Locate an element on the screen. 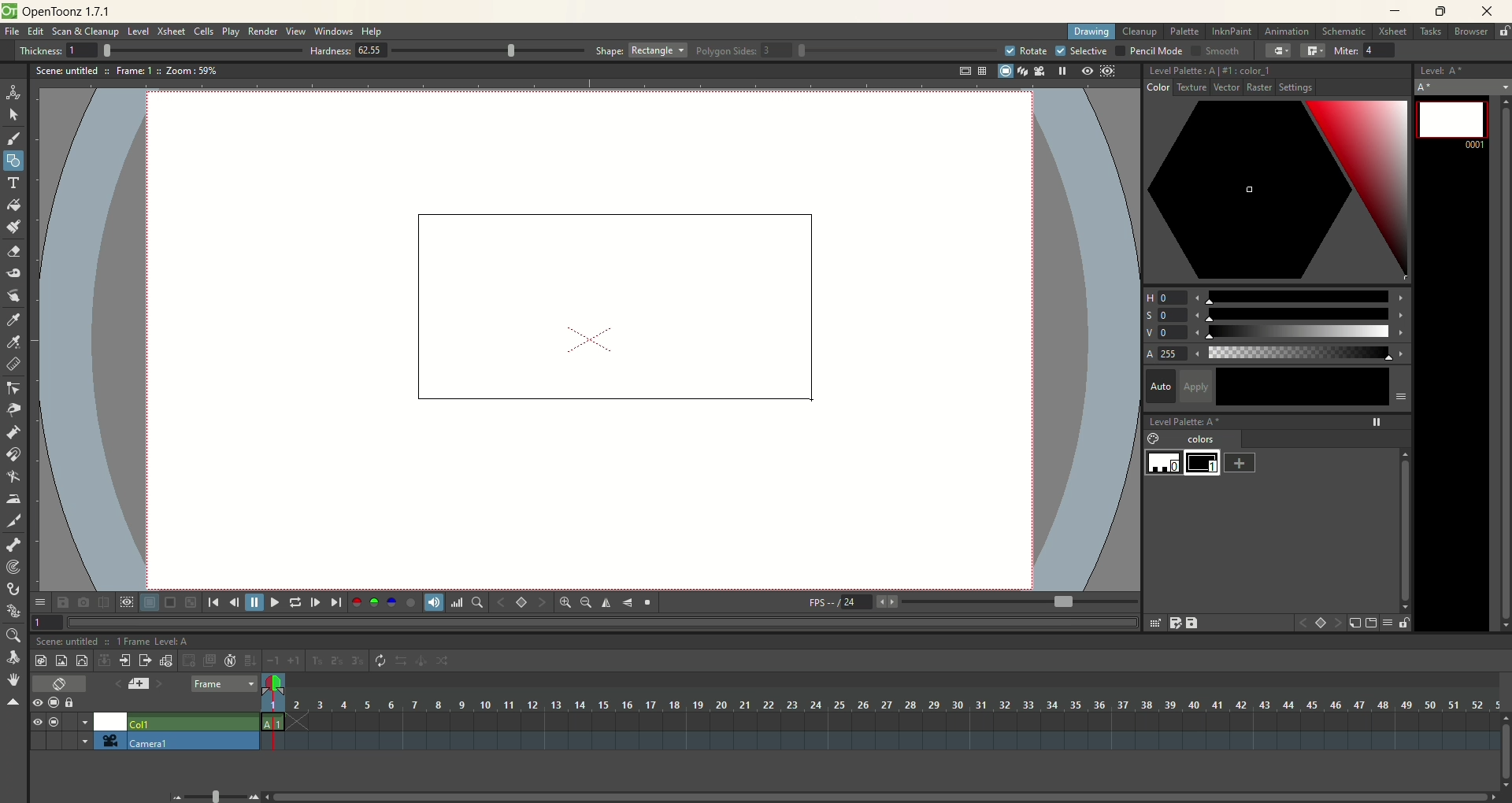 Image resolution: width=1512 pixels, height=803 pixels. cleanup palette is located at coordinates (1277, 71).